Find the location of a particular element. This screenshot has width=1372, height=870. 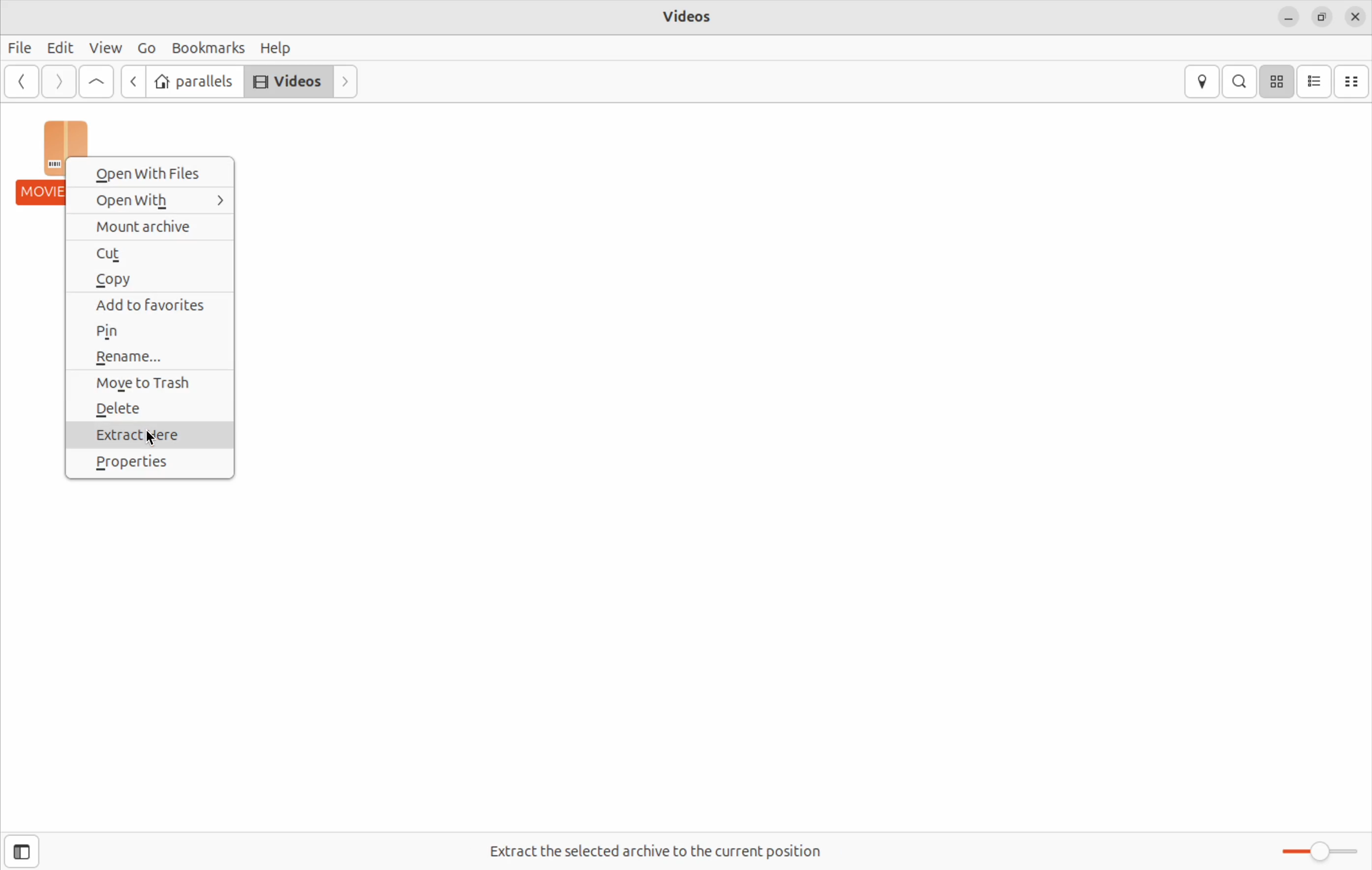

Cursor is located at coordinates (156, 440).